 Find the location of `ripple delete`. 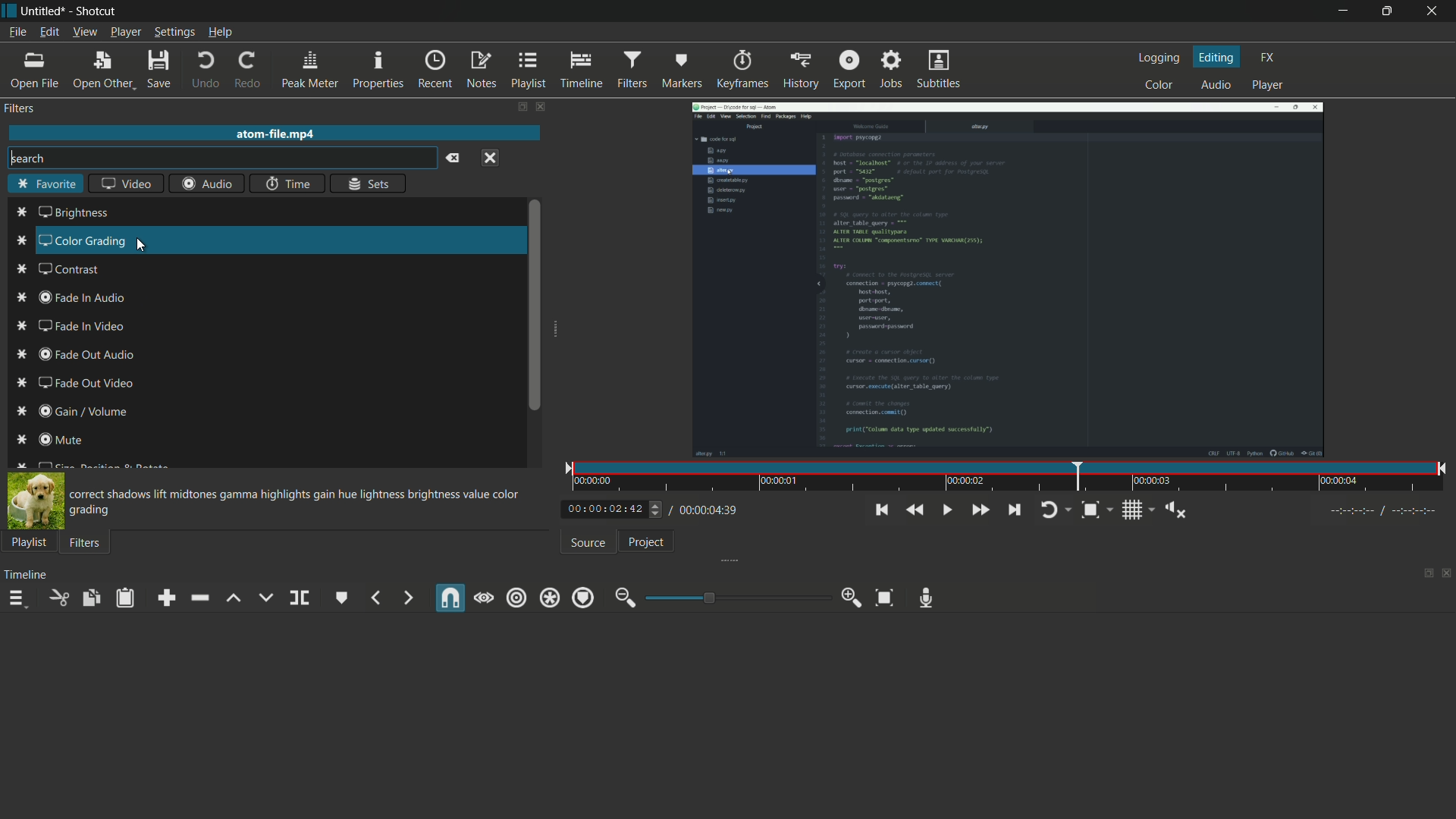

ripple delete is located at coordinates (199, 598).